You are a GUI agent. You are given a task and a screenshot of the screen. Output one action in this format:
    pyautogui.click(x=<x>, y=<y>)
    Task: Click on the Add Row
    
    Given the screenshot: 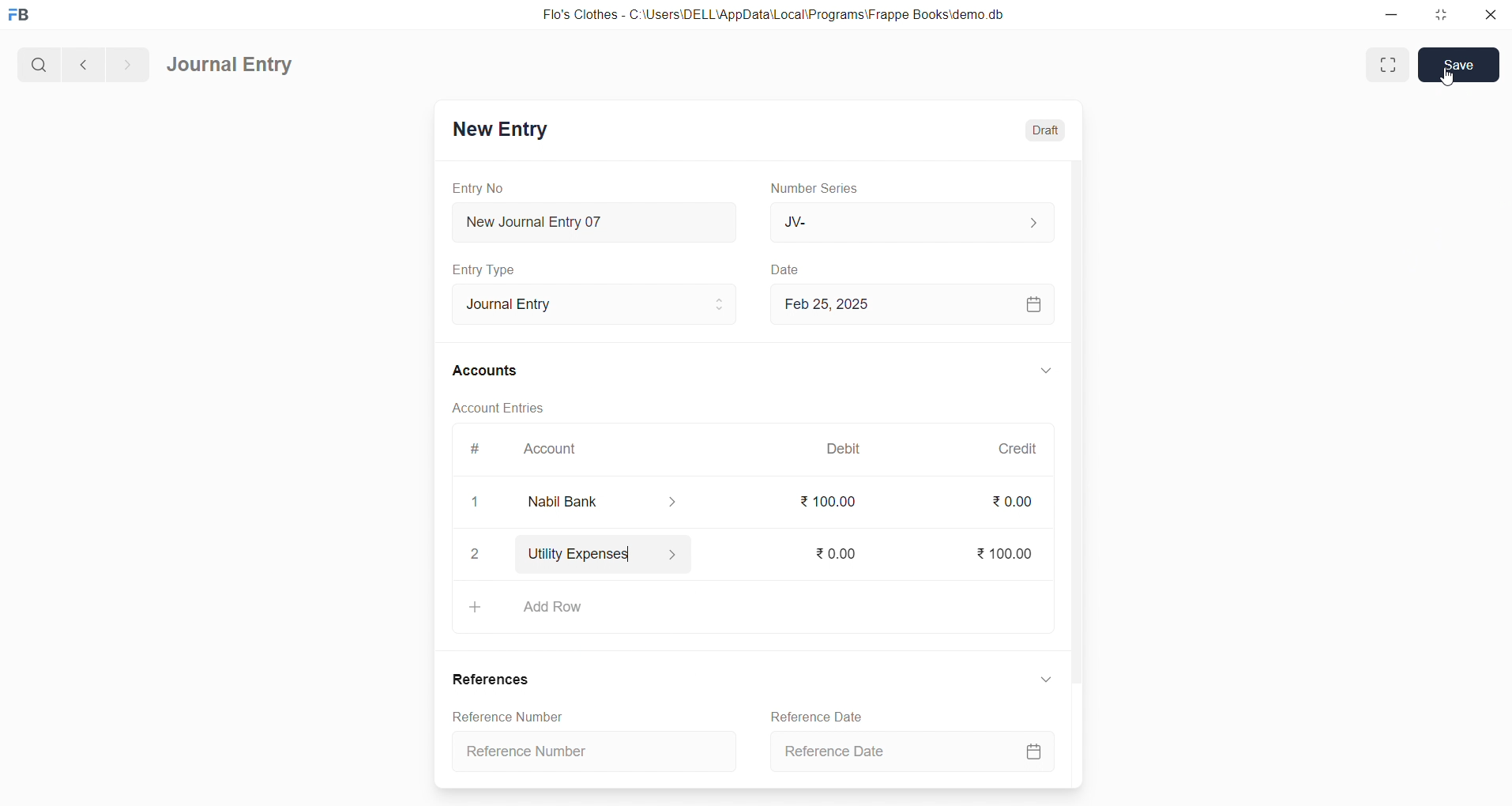 What is the action you would take?
    pyautogui.click(x=750, y=607)
    